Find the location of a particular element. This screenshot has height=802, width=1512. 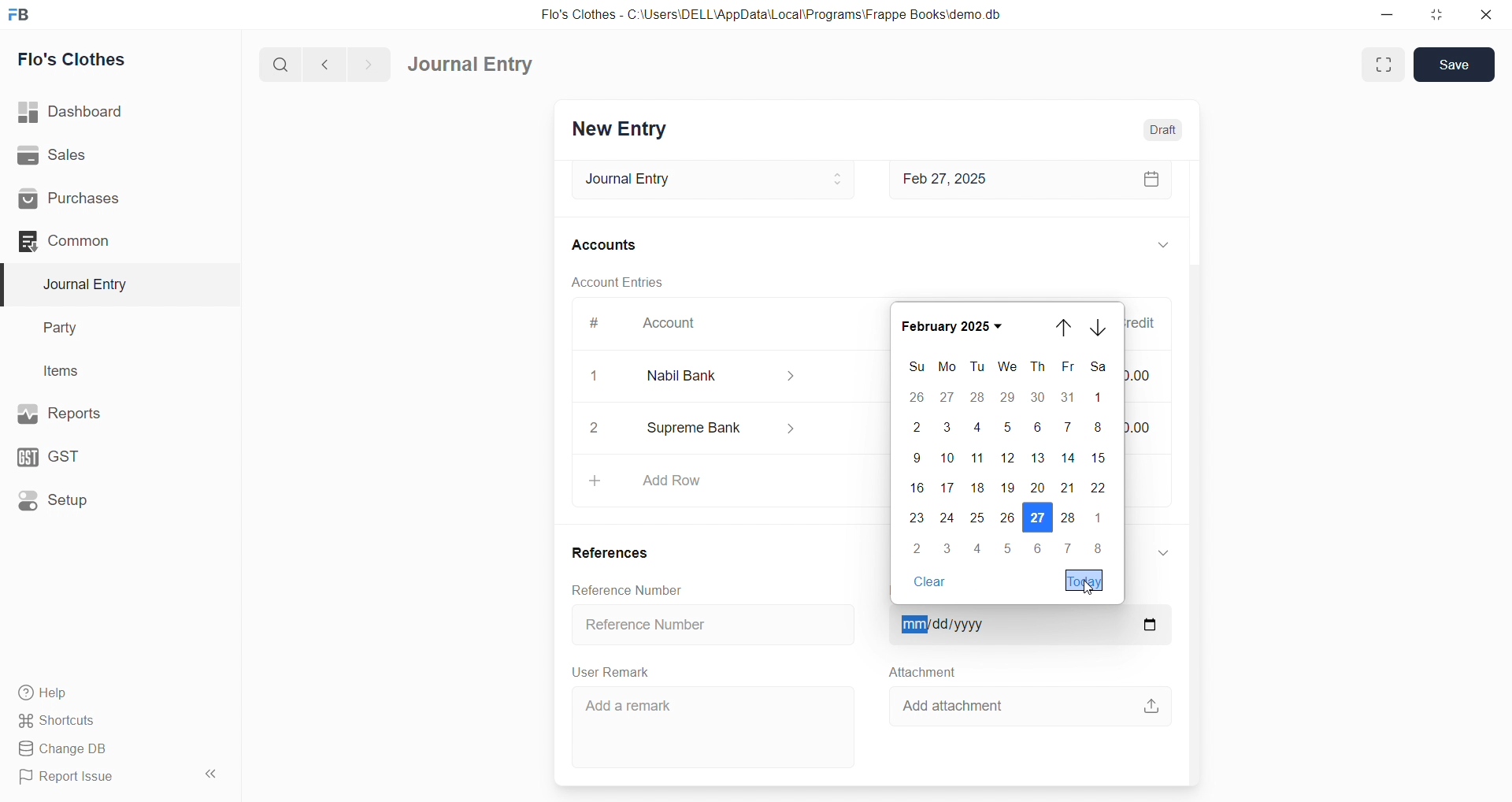

14 is located at coordinates (1067, 459).